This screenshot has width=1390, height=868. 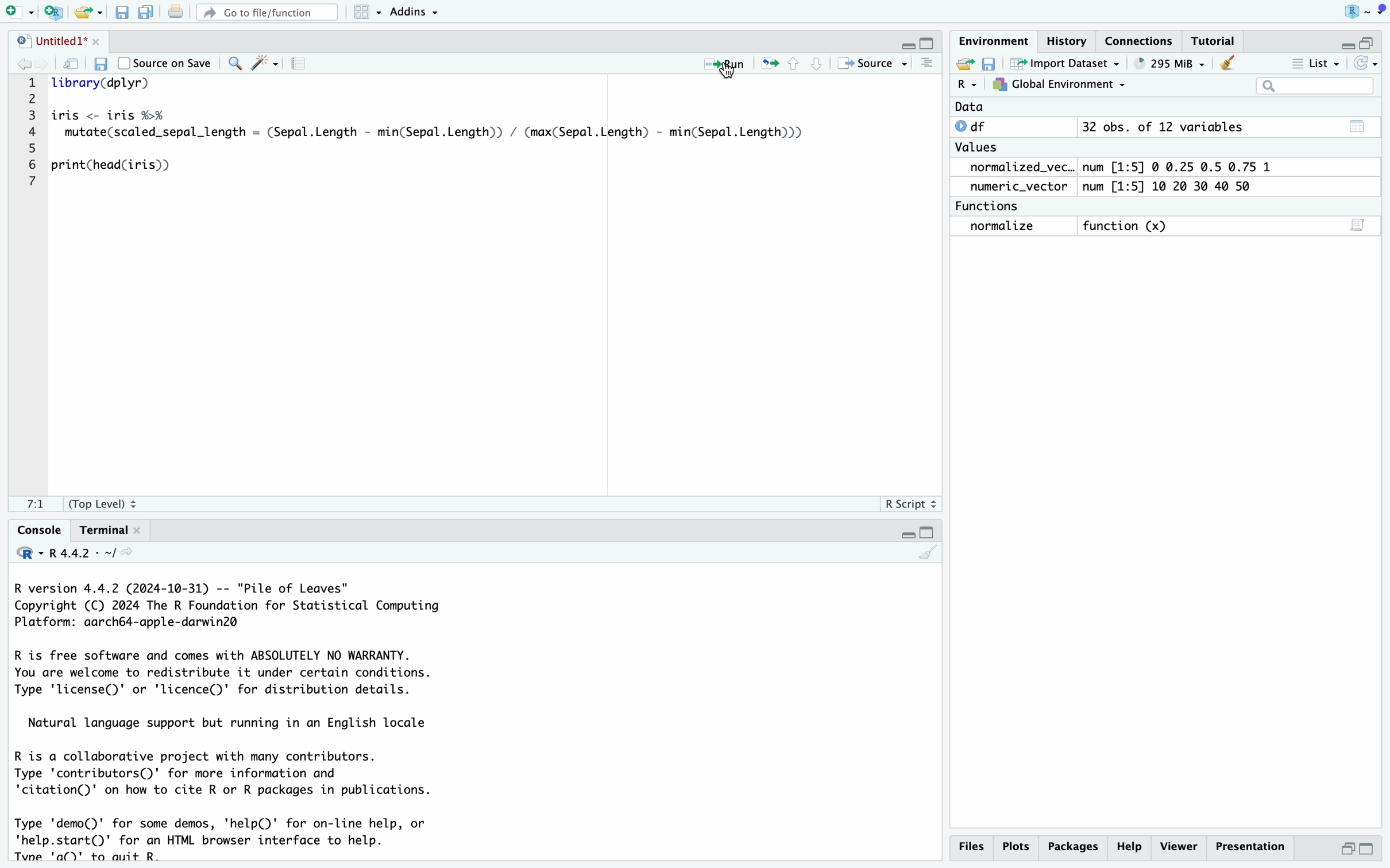 What do you see at coordinates (1132, 846) in the screenshot?
I see `Help` at bounding box center [1132, 846].